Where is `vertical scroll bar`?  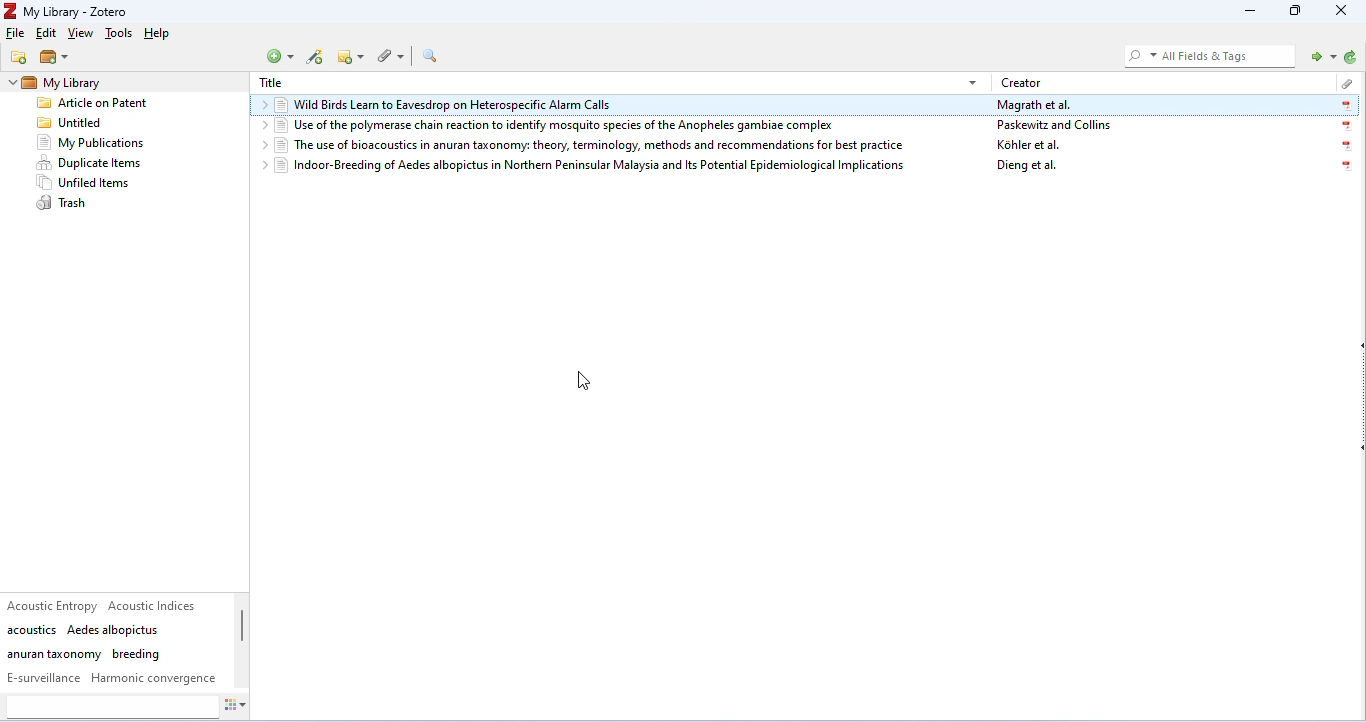
vertical scroll bar is located at coordinates (244, 628).